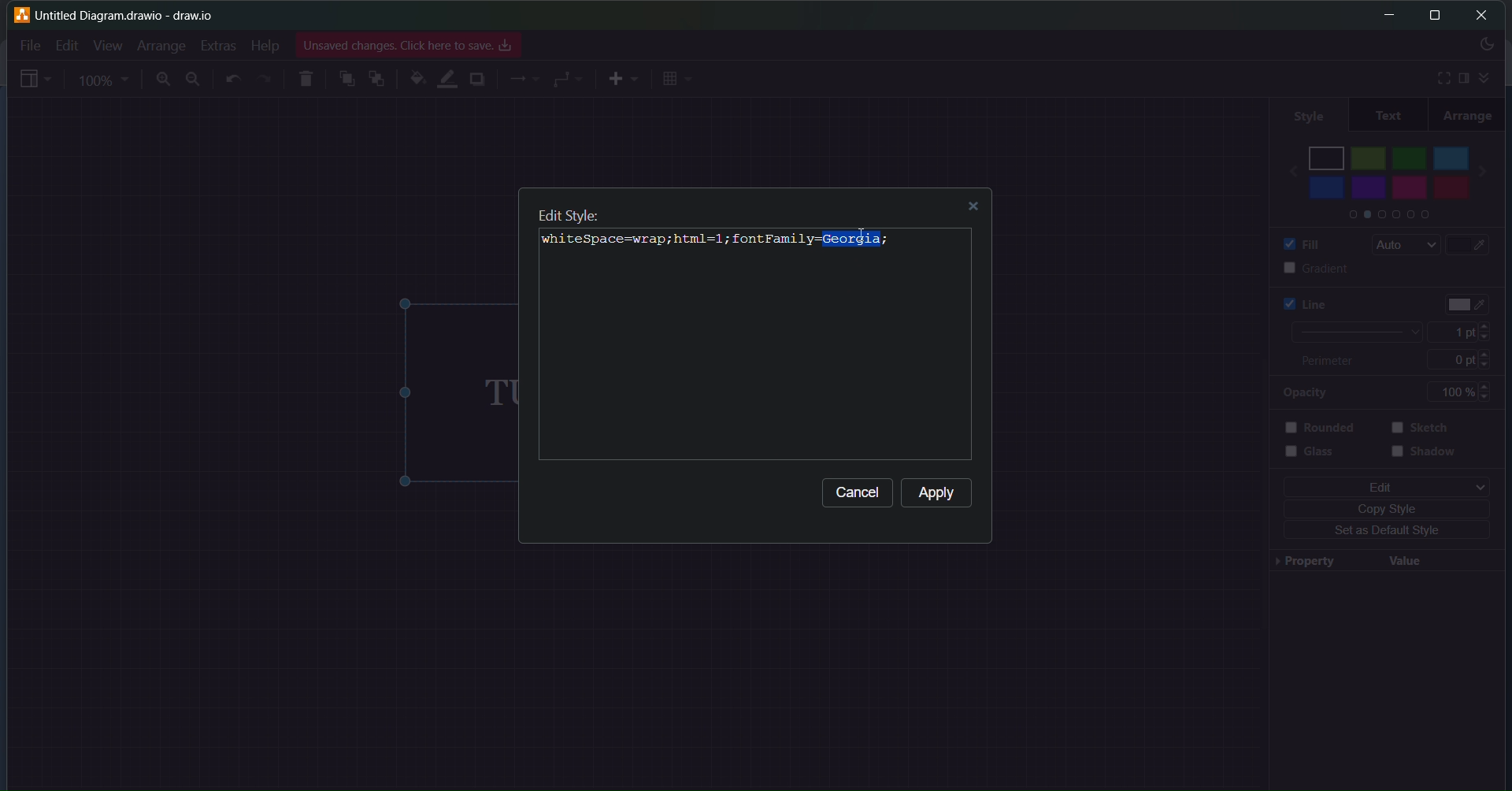  Describe the element at coordinates (568, 213) in the screenshot. I see `Edit Style:` at that location.